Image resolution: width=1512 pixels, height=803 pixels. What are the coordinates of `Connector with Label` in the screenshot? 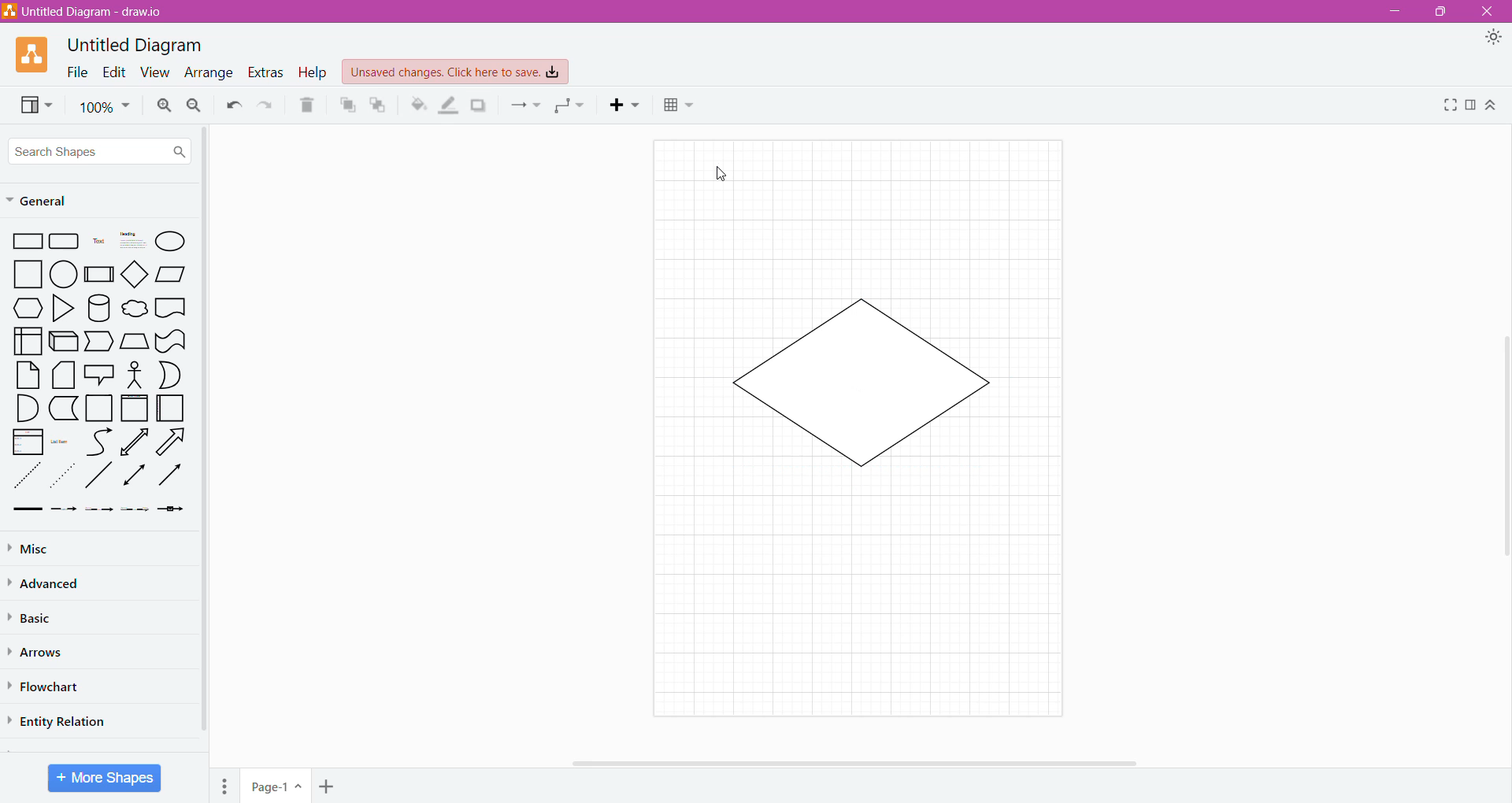 It's located at (65, 510).